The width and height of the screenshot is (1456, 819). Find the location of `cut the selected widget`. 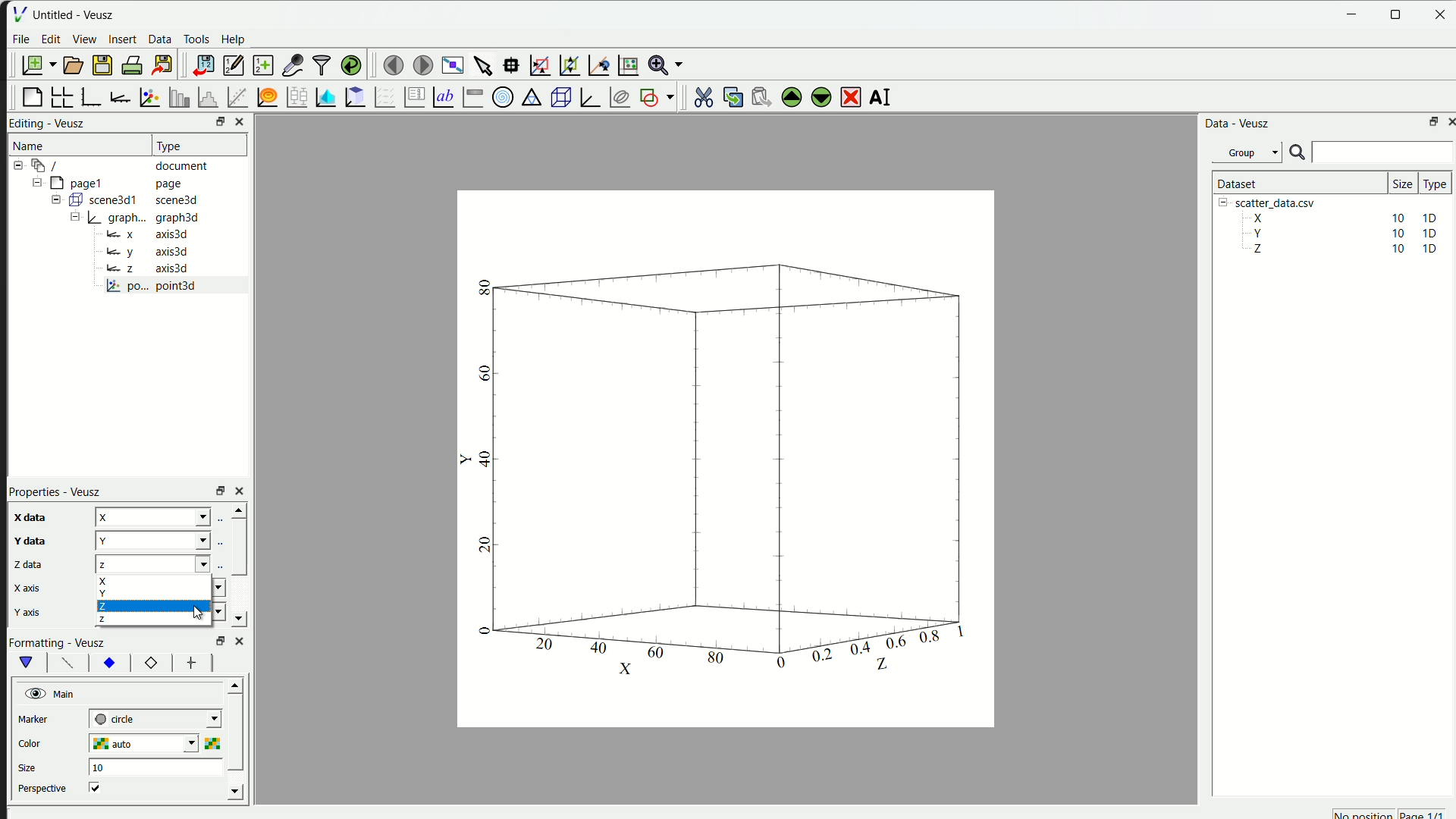

cut the selected widget is located at coordinates (701, 96).